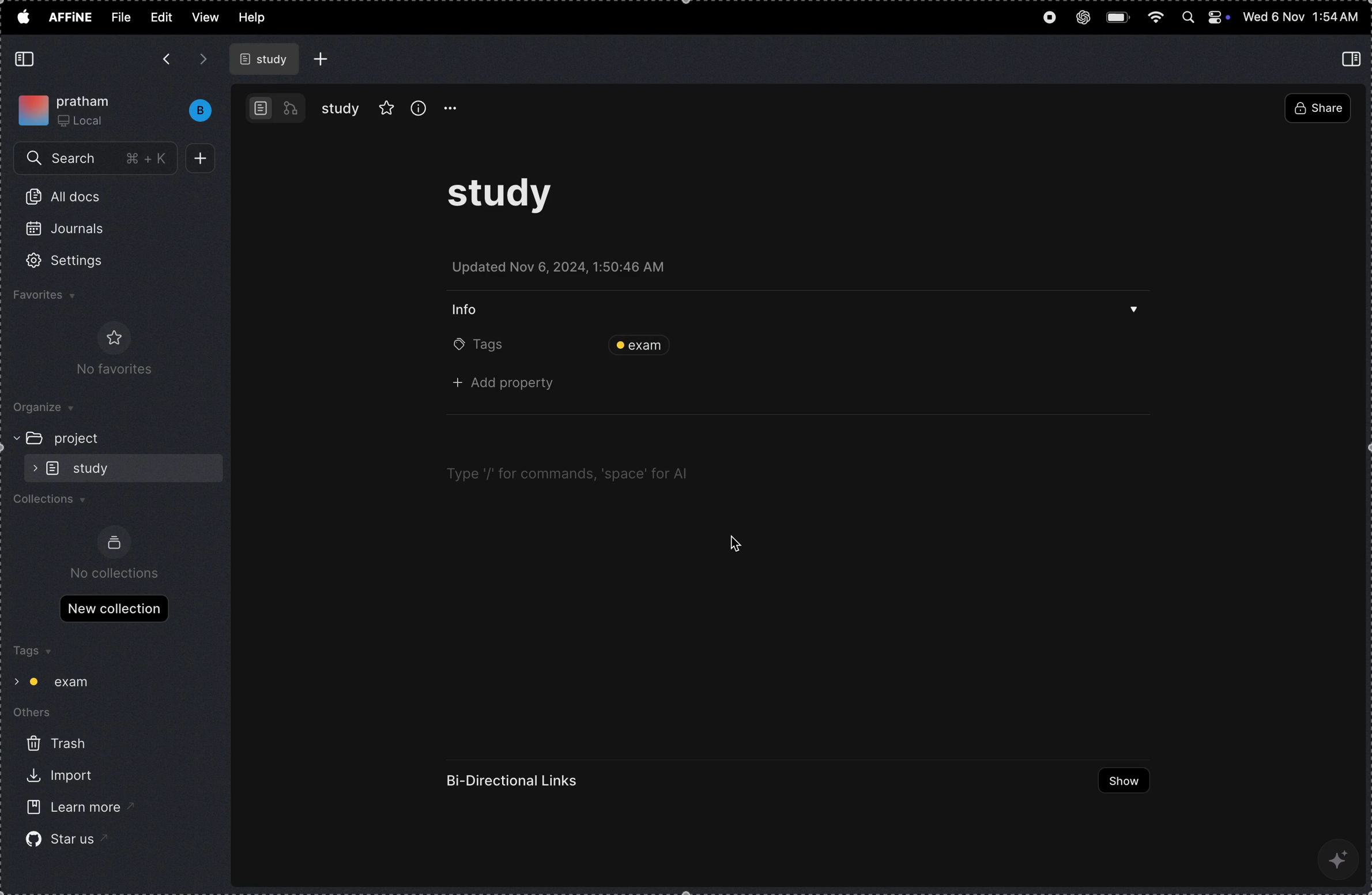 The image size is (1372, 895). I want to click on backward, so click(165, 61).